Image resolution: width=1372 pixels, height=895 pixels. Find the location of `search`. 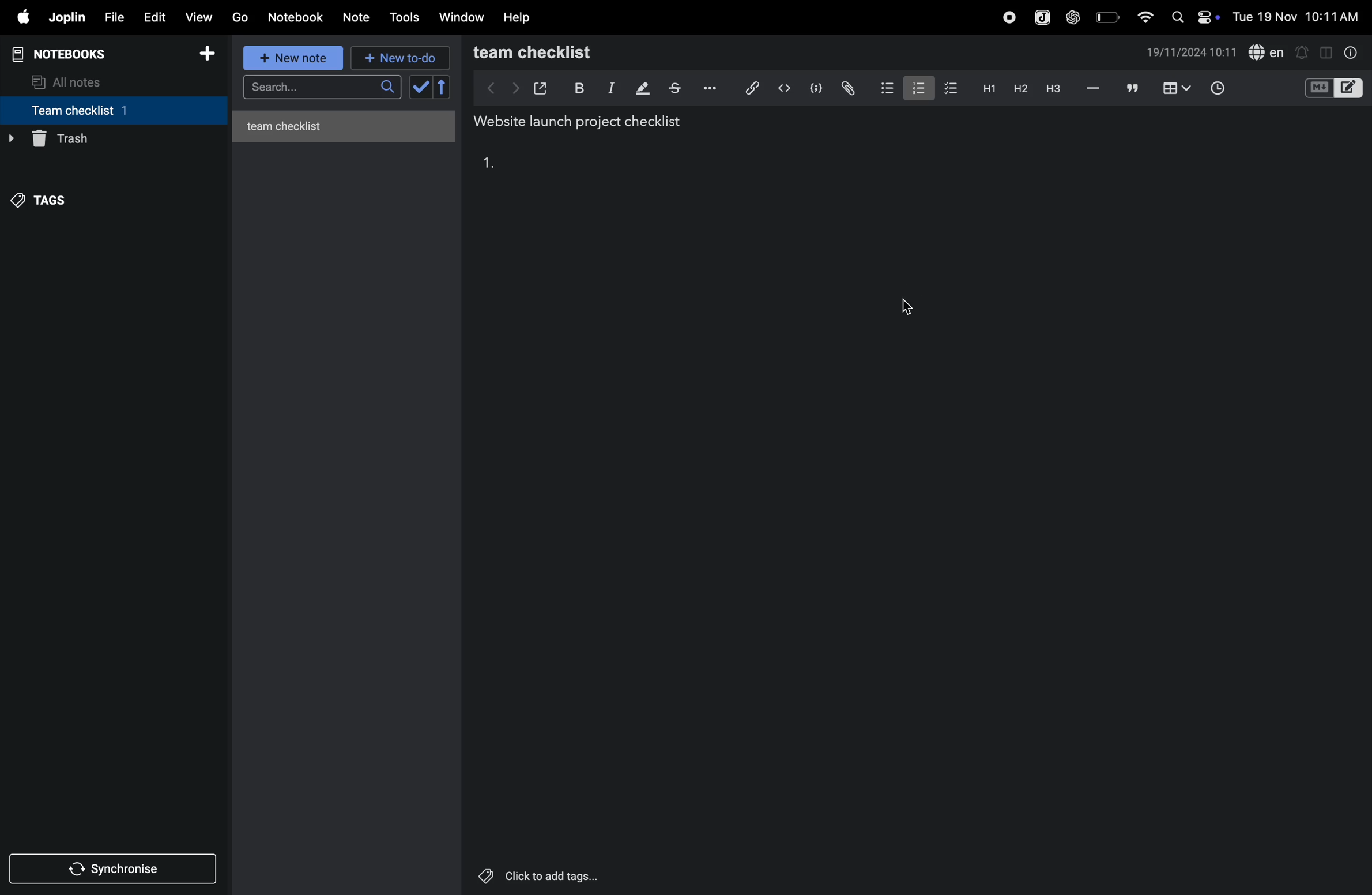

search is located at coordinates (1177, 17).